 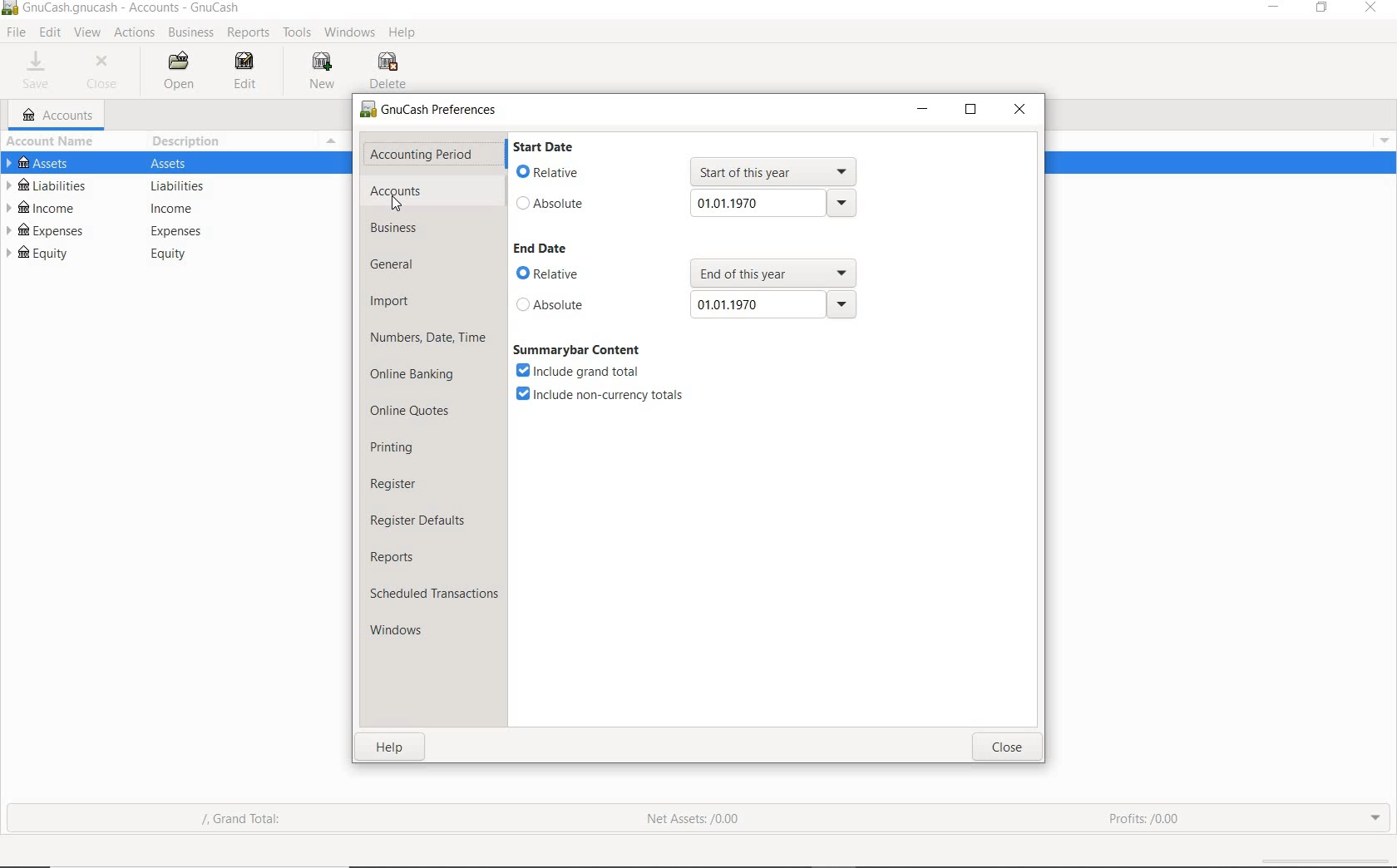 I want to click on ACCOUNT NAME, so click(x=53, y=143).